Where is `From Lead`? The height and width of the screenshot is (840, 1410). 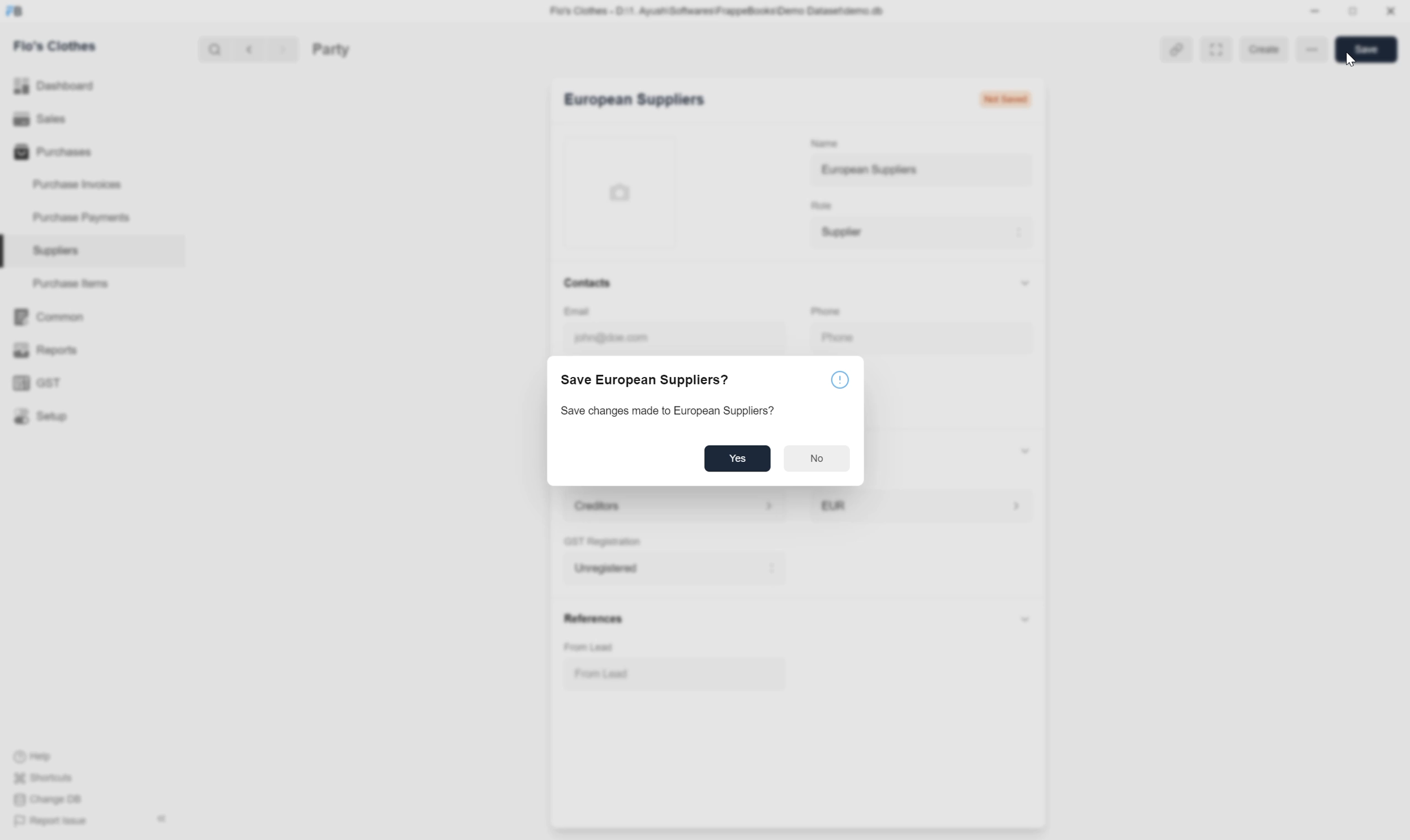 From Lead is located at coordinates (608, 672).